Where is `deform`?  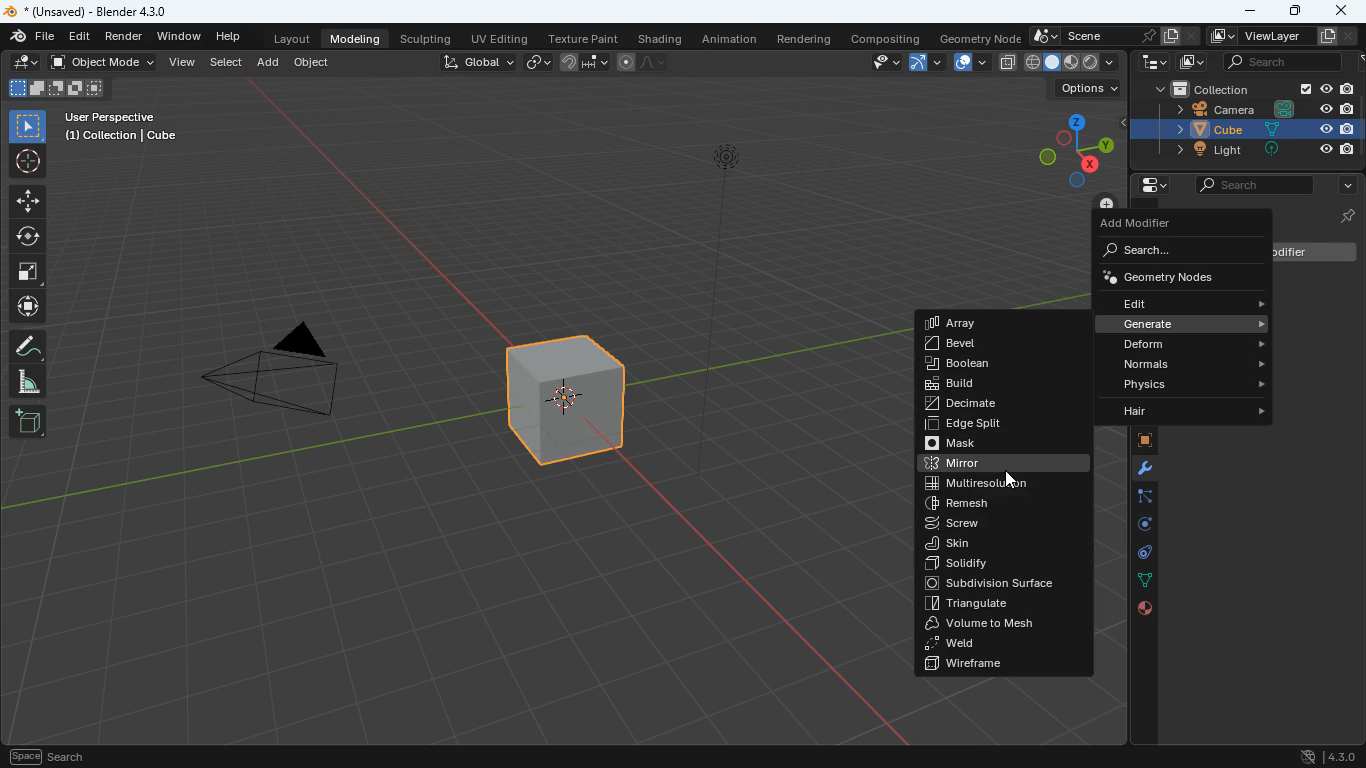 deform is located at coordinates (1190, 345).